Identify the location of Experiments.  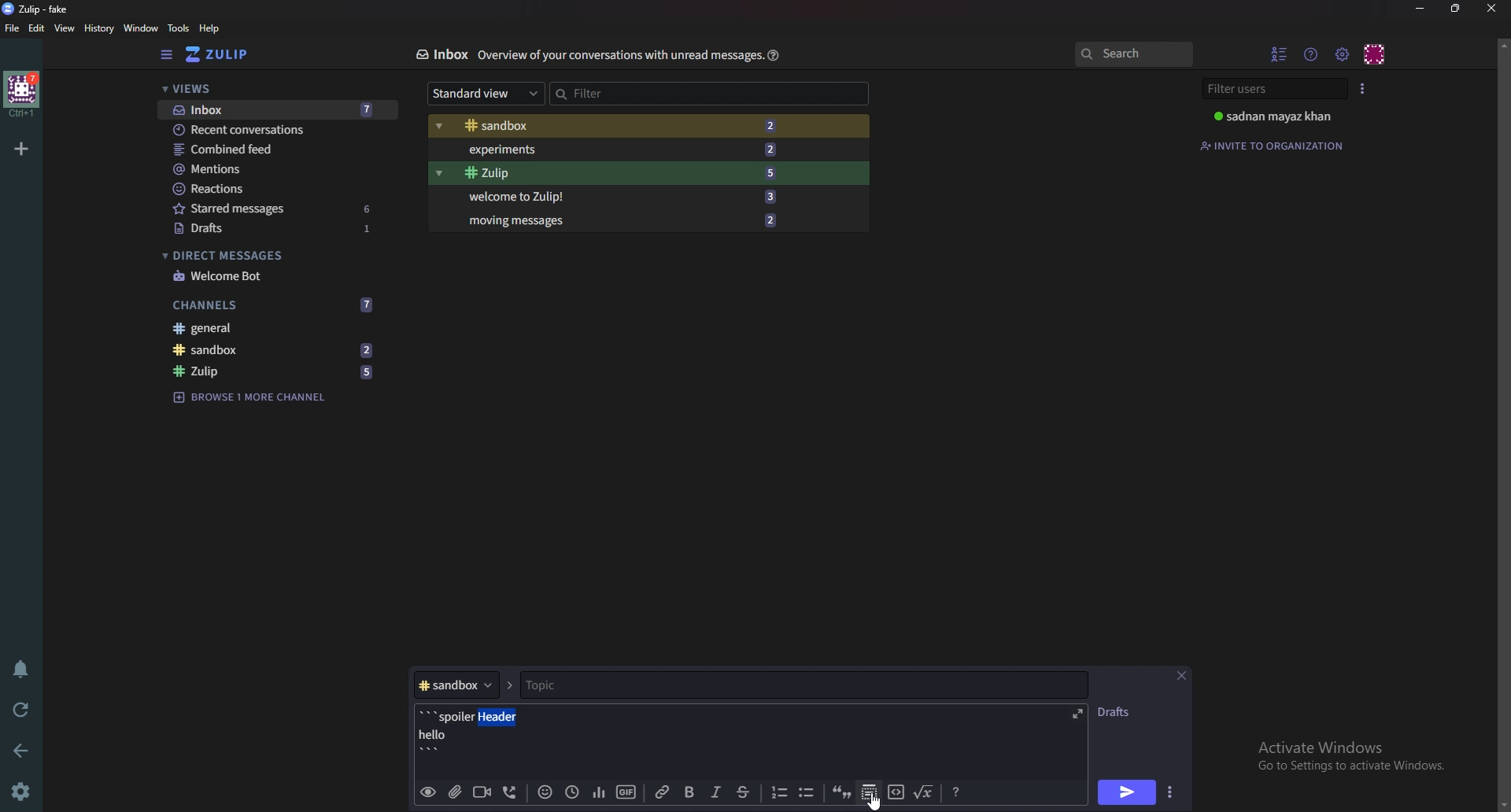
(610, 149).